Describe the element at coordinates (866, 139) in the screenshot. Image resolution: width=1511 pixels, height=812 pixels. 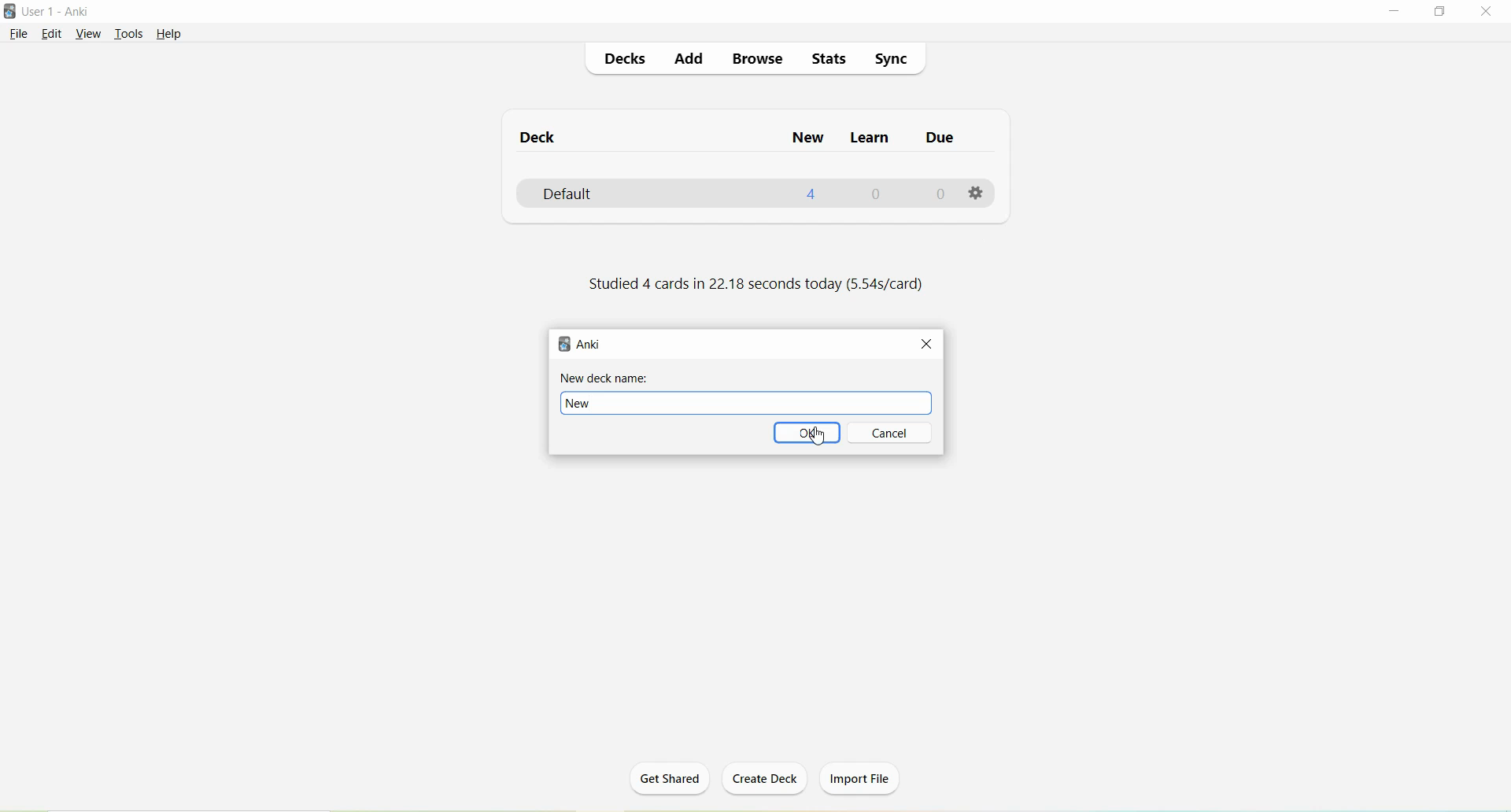
I see `Learn` at that location.